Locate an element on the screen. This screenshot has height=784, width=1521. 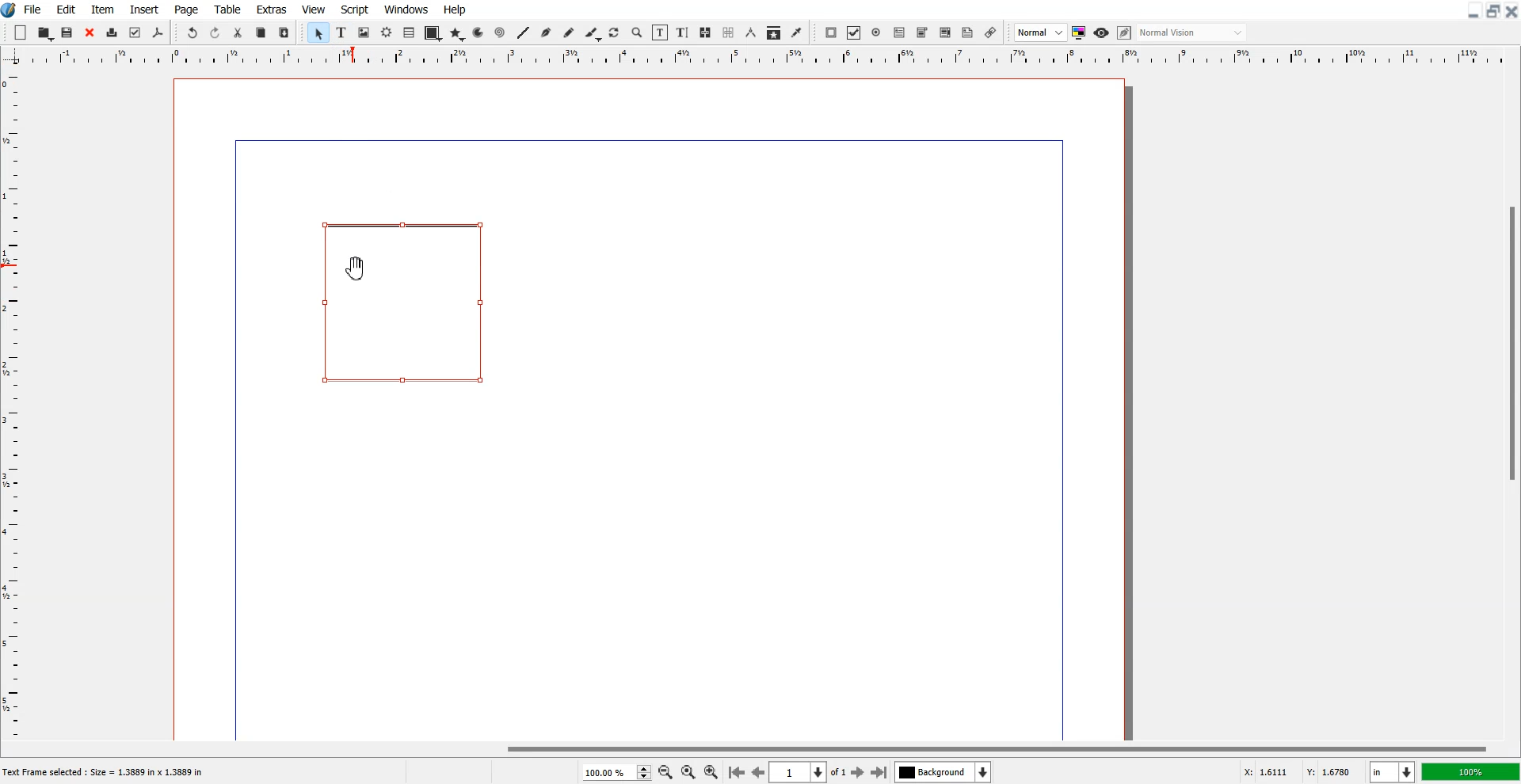
Edit text with story is located at coordinates (684, 33).